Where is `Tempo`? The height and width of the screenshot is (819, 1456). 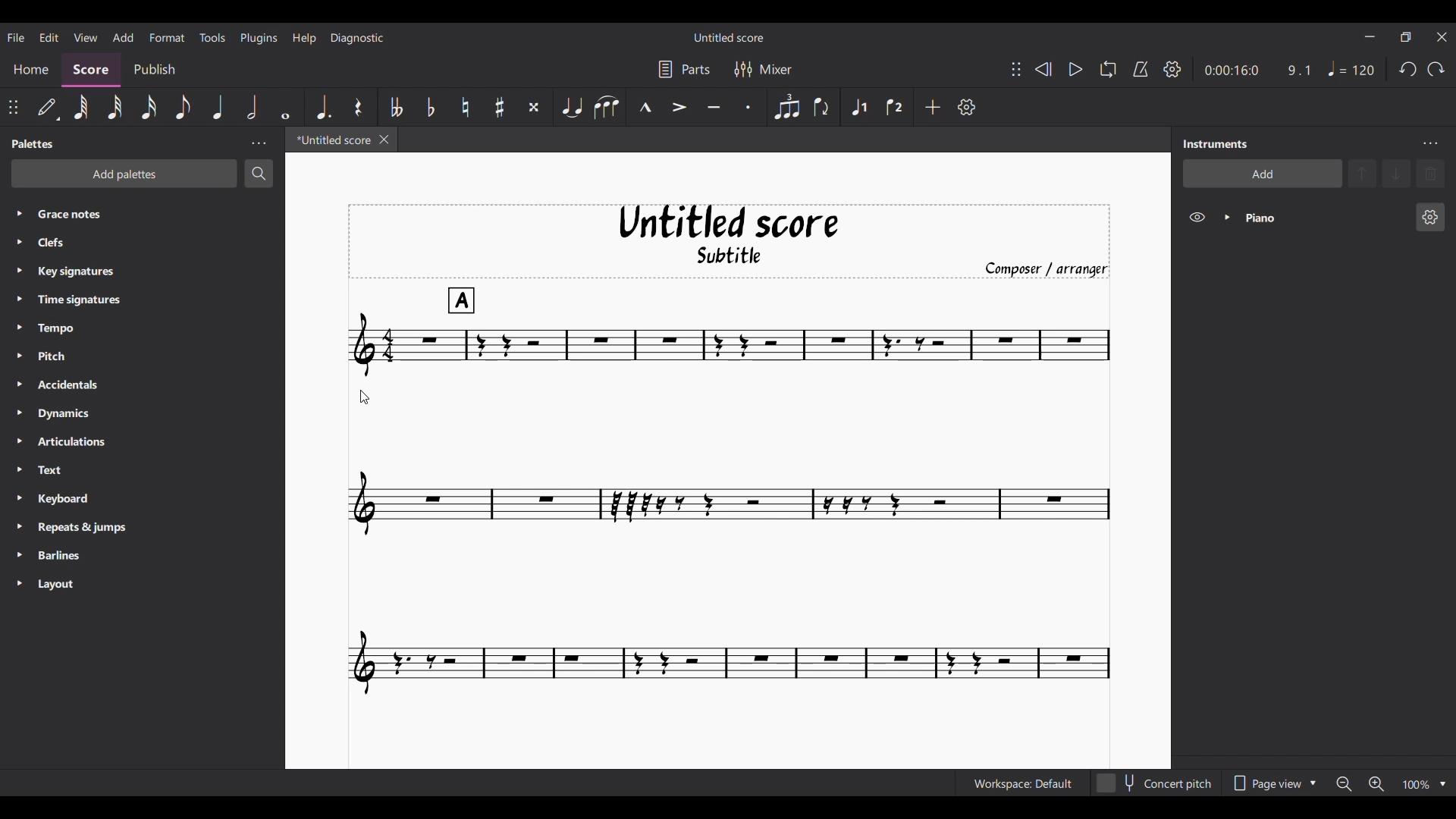
Tempo is located at coordinates (85, 329).